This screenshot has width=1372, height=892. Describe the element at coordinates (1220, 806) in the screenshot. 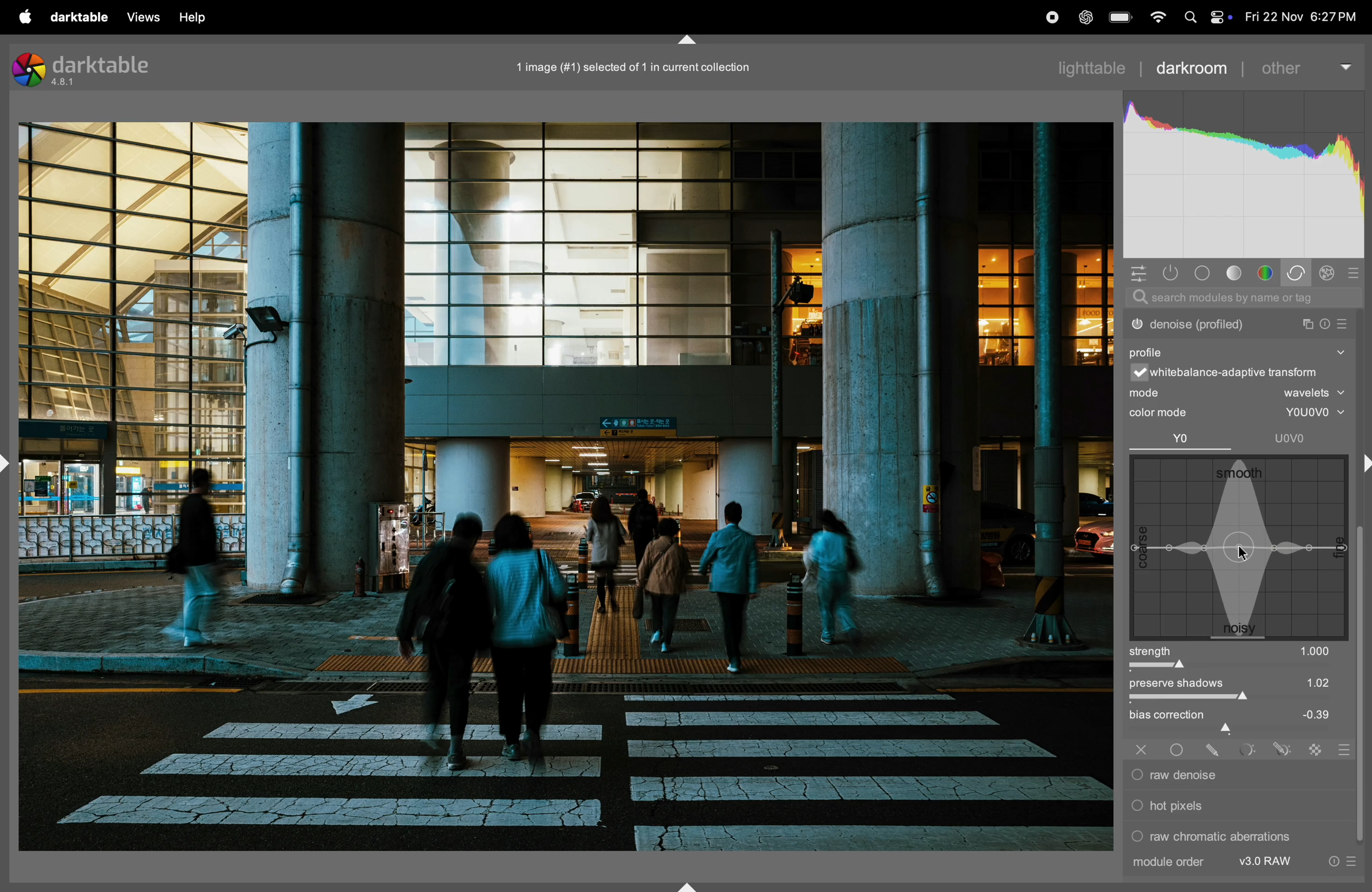

I see `hot pixels` at that location.